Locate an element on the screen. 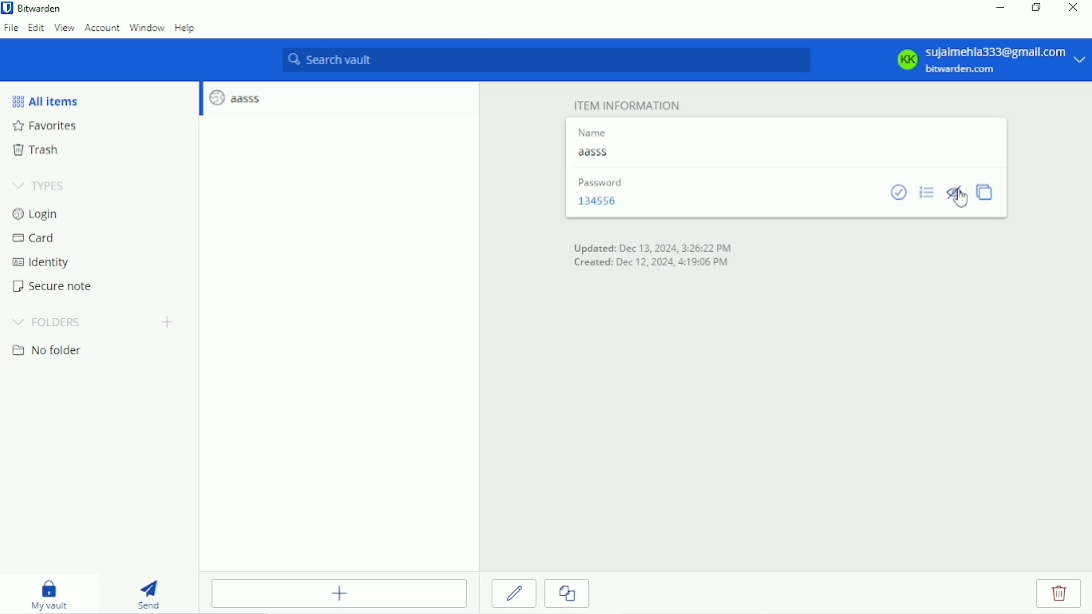  Restore down is located at coordinates (1035, 7).